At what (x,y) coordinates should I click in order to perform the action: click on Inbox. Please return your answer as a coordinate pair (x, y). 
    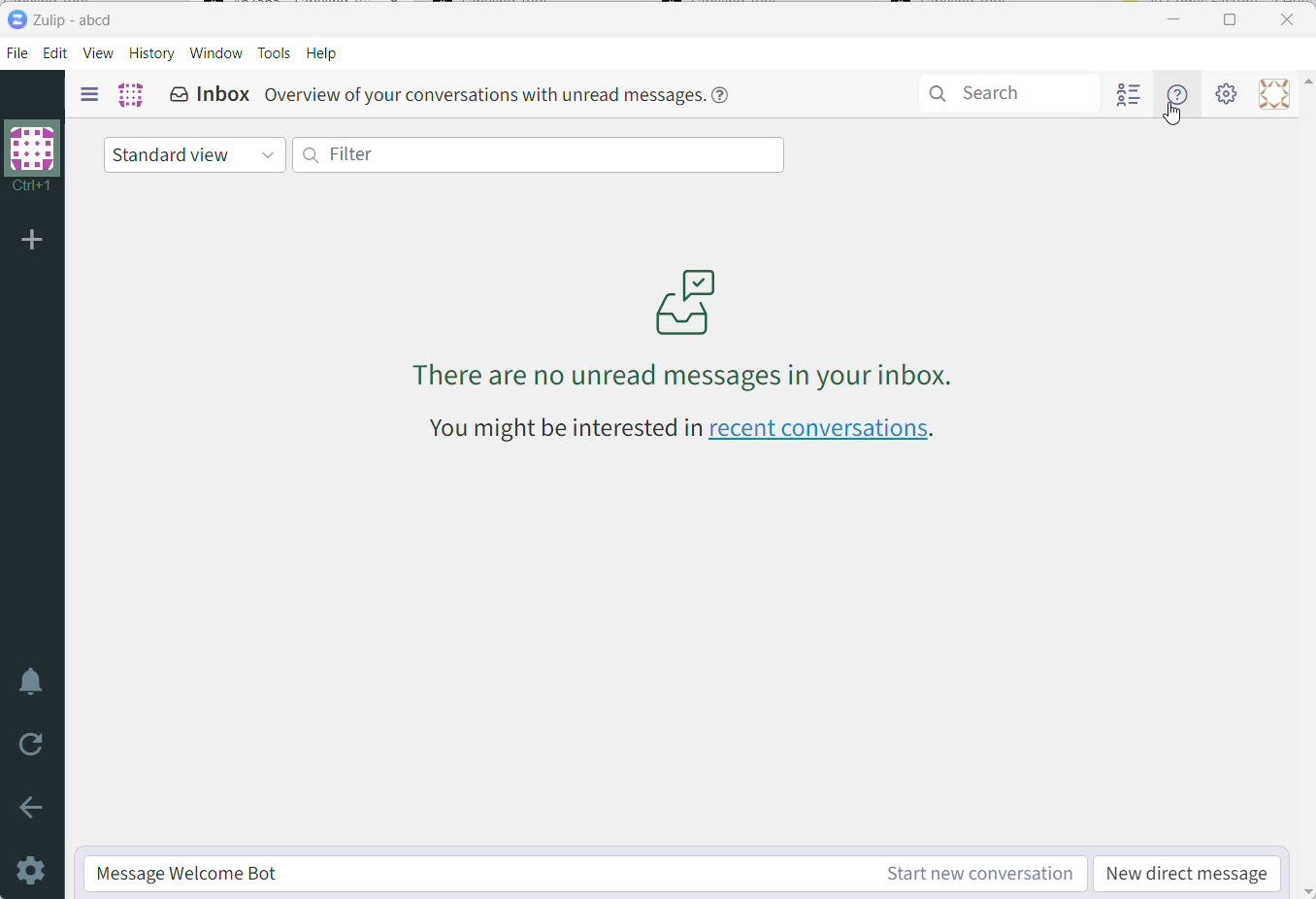
    Looking at the image, I should click on (210, 94).